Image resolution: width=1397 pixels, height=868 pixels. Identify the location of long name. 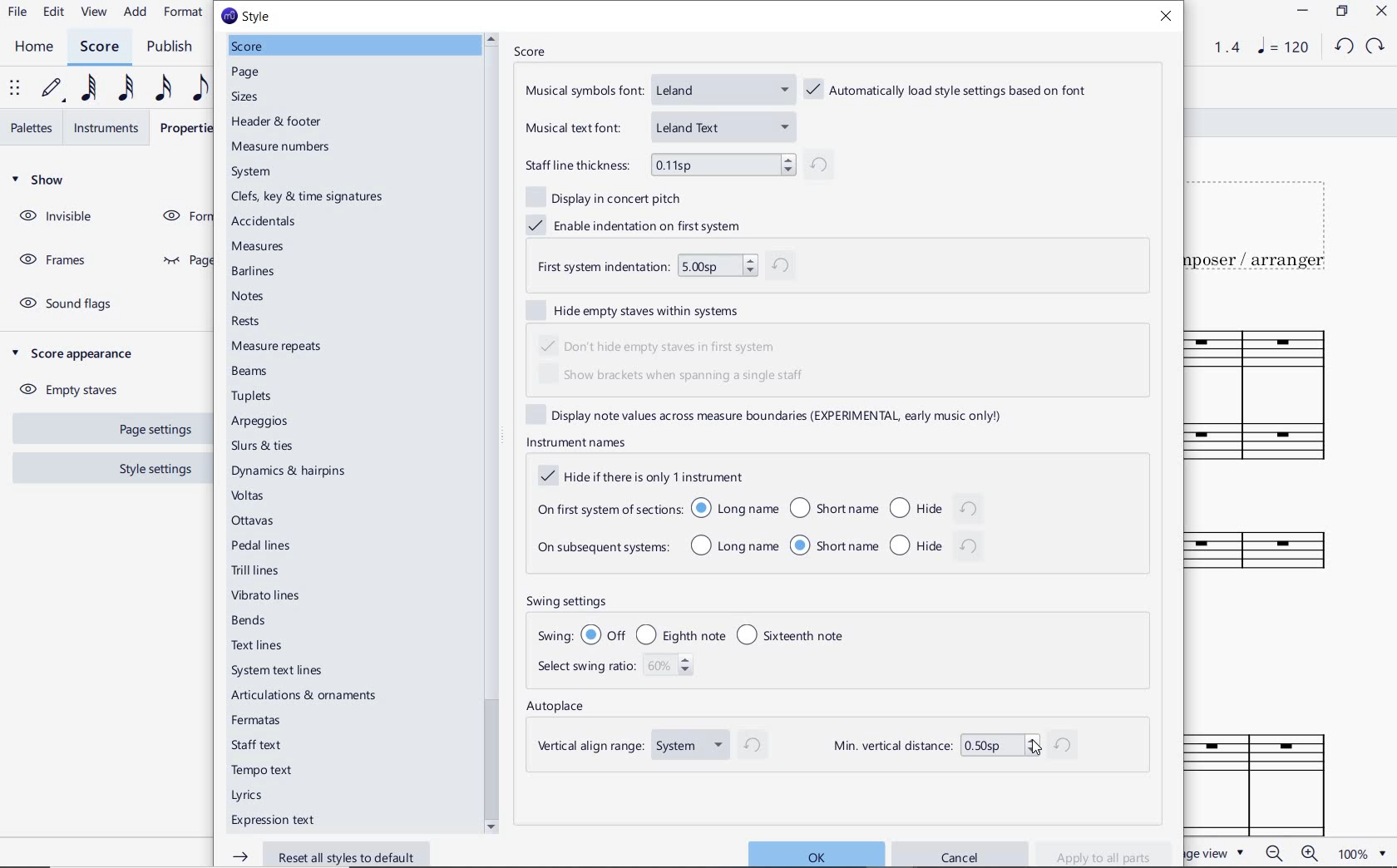
(735, 508).